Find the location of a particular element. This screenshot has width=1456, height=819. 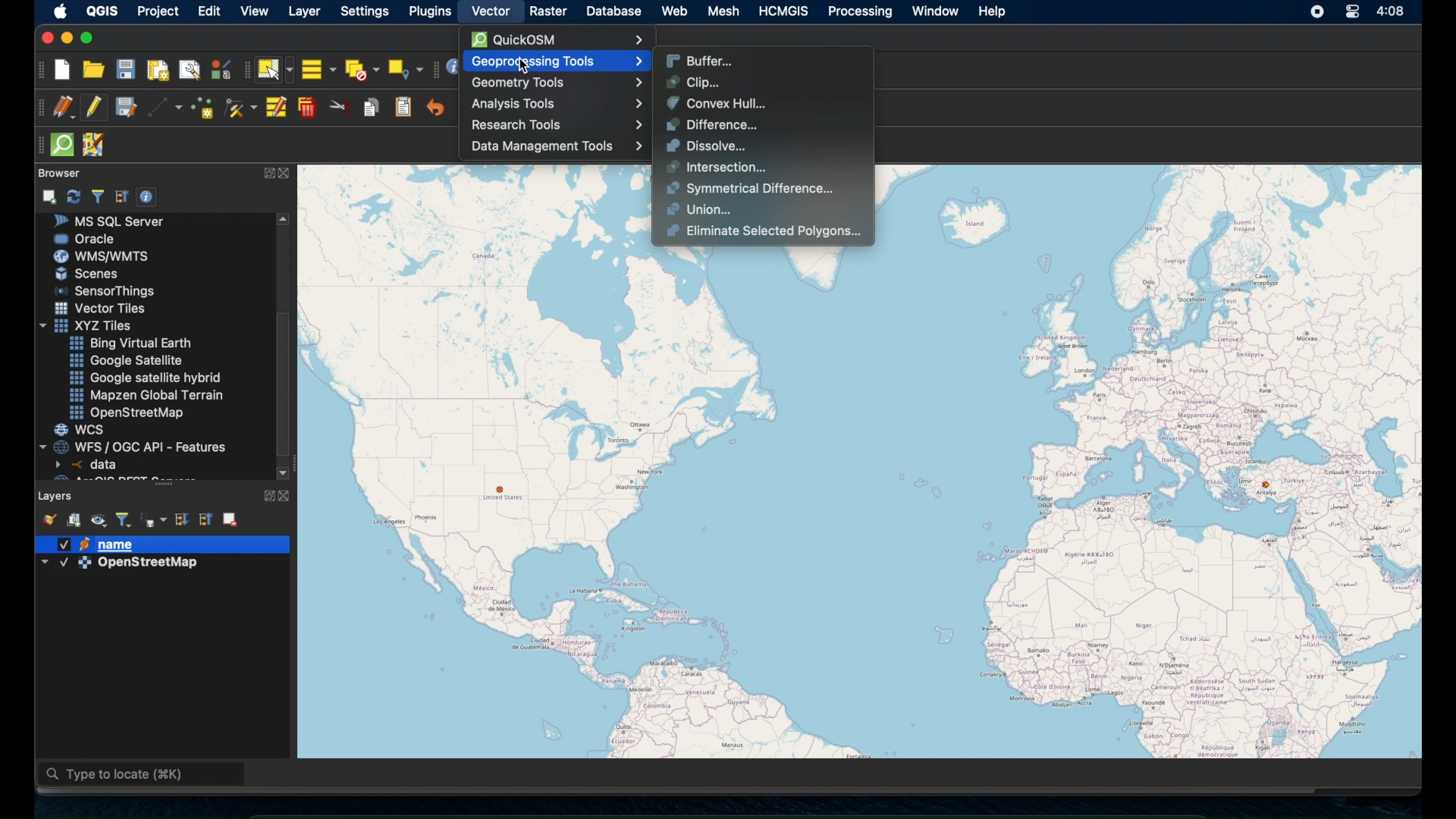

scroll down arrow is located at coordinates (283, 471).